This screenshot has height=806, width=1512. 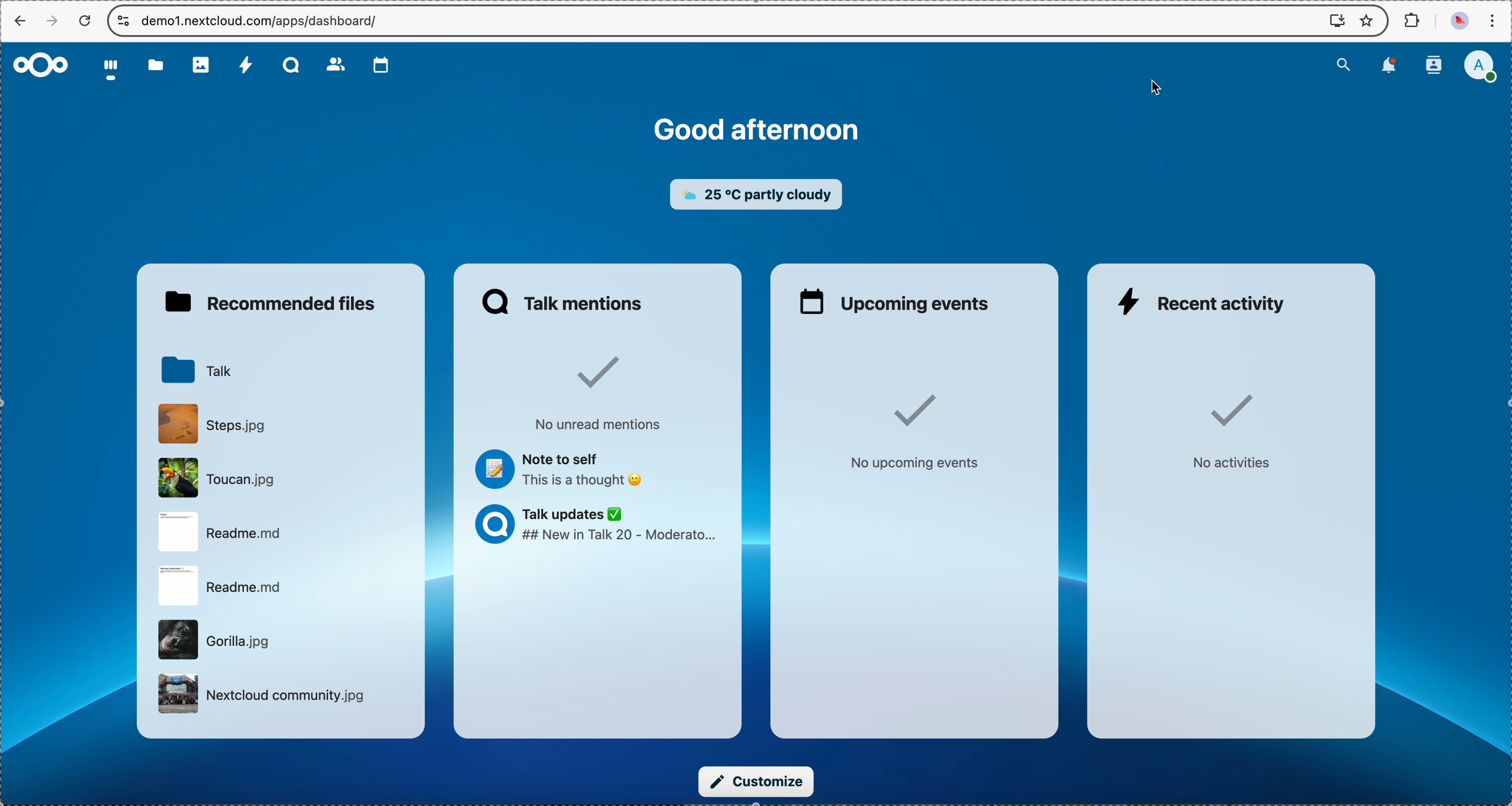 What do you see at coordinates (1389, 66) in the screenshot?
I see `notifications` at bounding box center [1389, 66].